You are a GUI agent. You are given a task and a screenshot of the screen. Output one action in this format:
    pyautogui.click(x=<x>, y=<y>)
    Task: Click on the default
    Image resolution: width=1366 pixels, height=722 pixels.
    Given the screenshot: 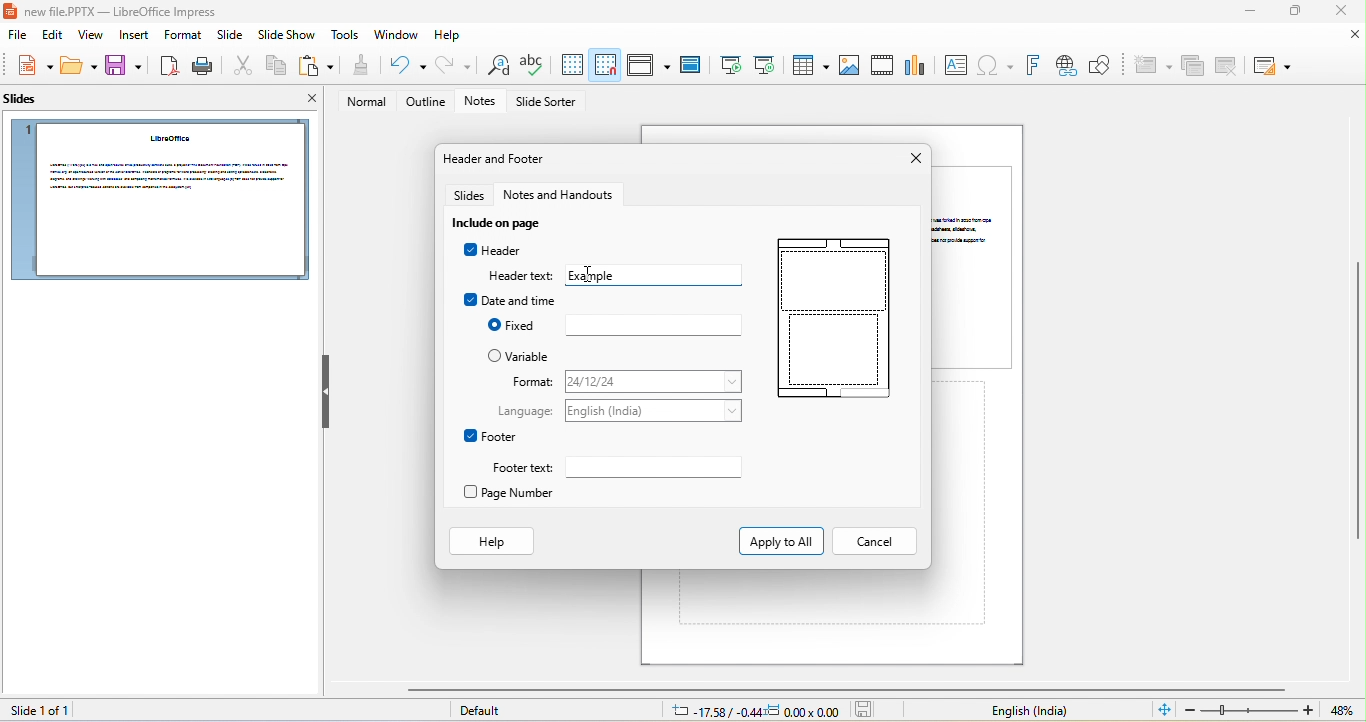 What is the action you would take?
    pyautogui.click(x=487, y=712)
    